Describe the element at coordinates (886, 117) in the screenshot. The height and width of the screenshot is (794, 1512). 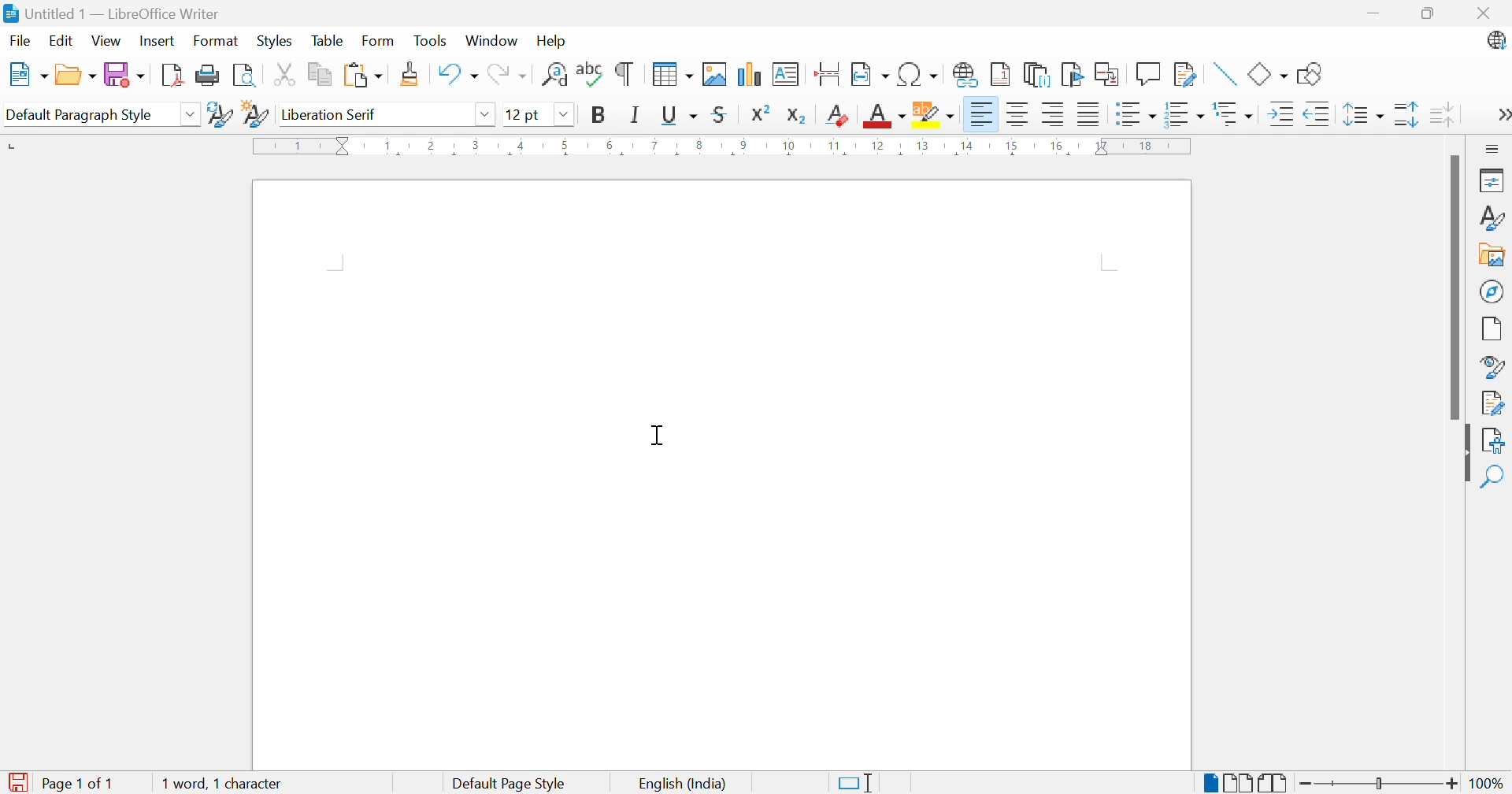
I see `Font color` at that location.